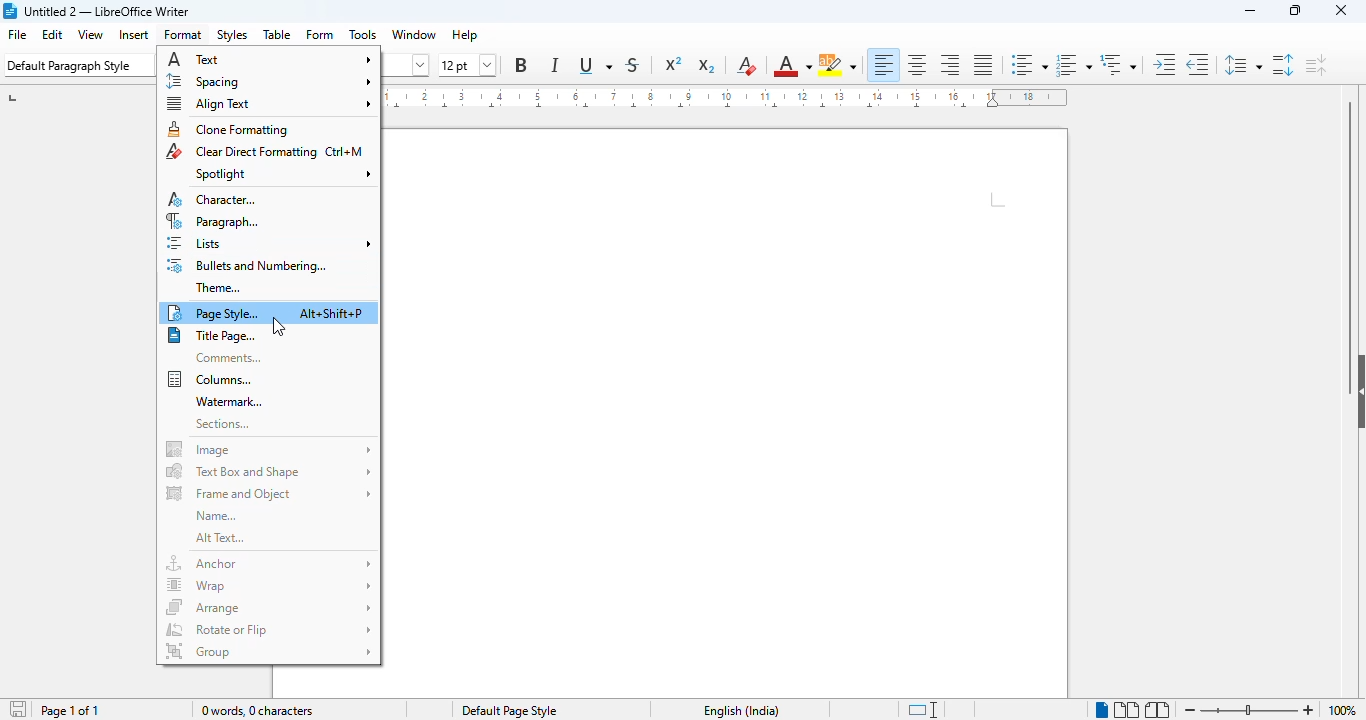  Describe the element at coordinates (269, 585) in the screenshot. I see `wrap` at that location.